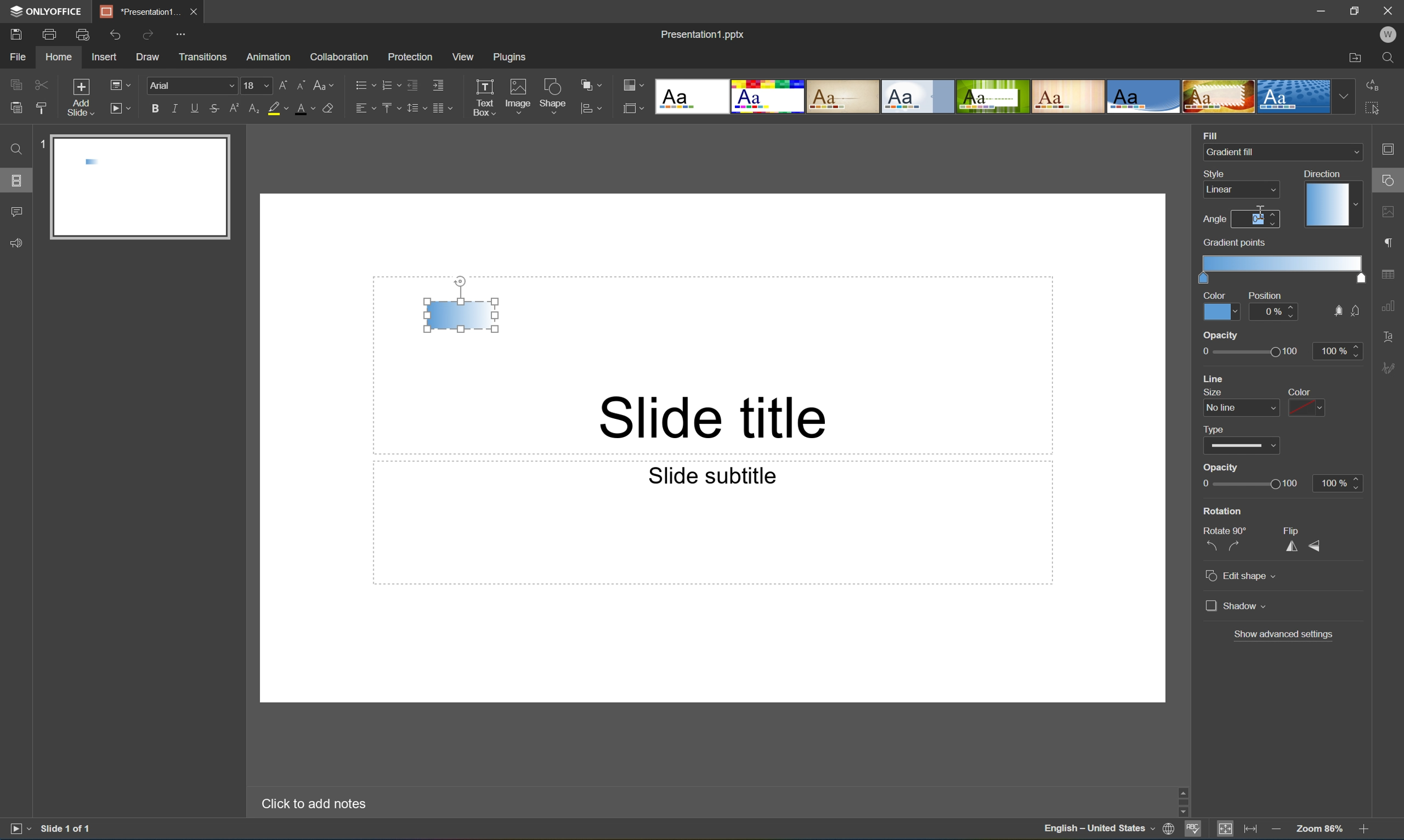  What do you see at coordinates (257, 85) in the screenshot?
I see `18` at bounding box center [257, 85].